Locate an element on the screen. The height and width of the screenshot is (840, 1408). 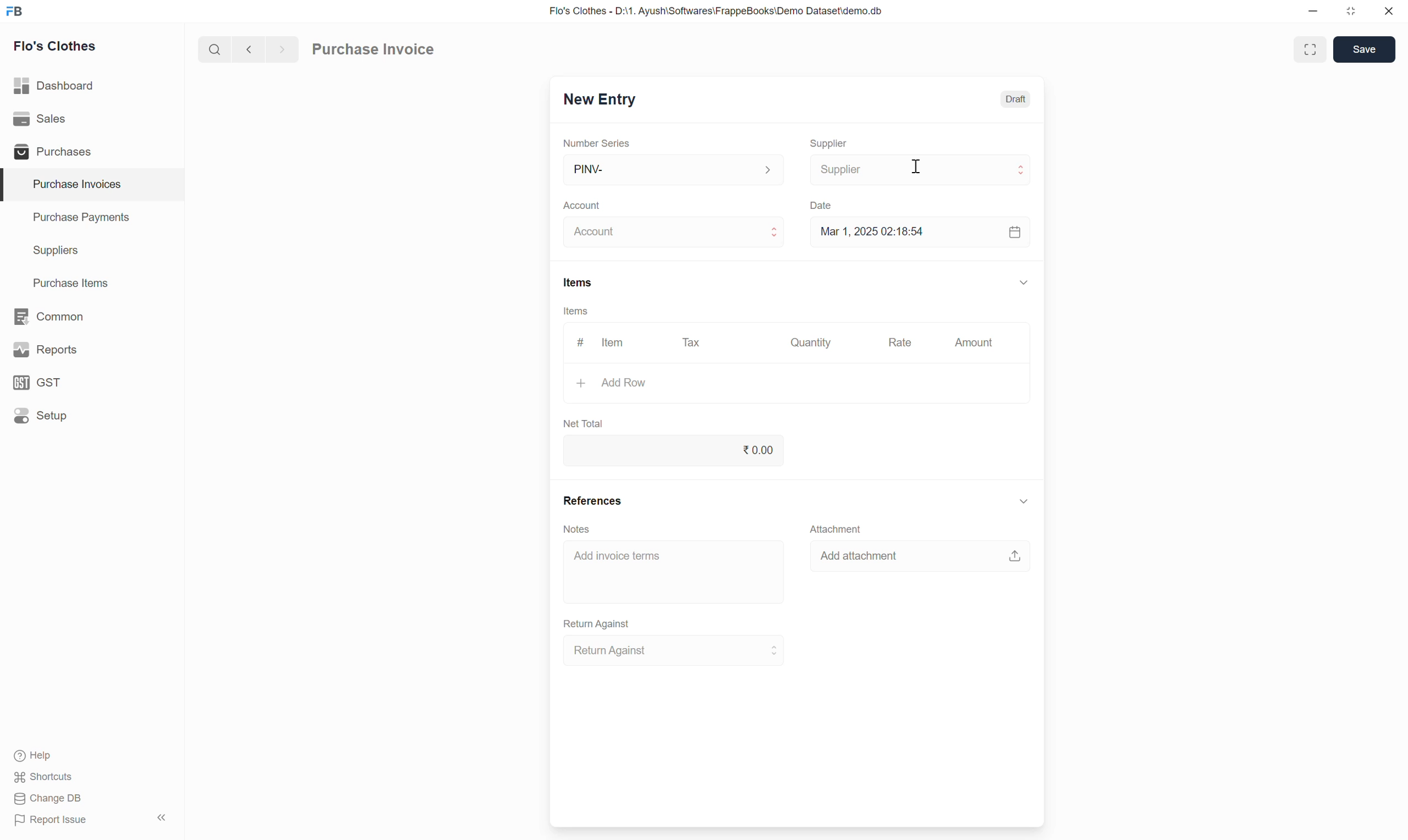
Return Against is located at coordinates (675, 650).